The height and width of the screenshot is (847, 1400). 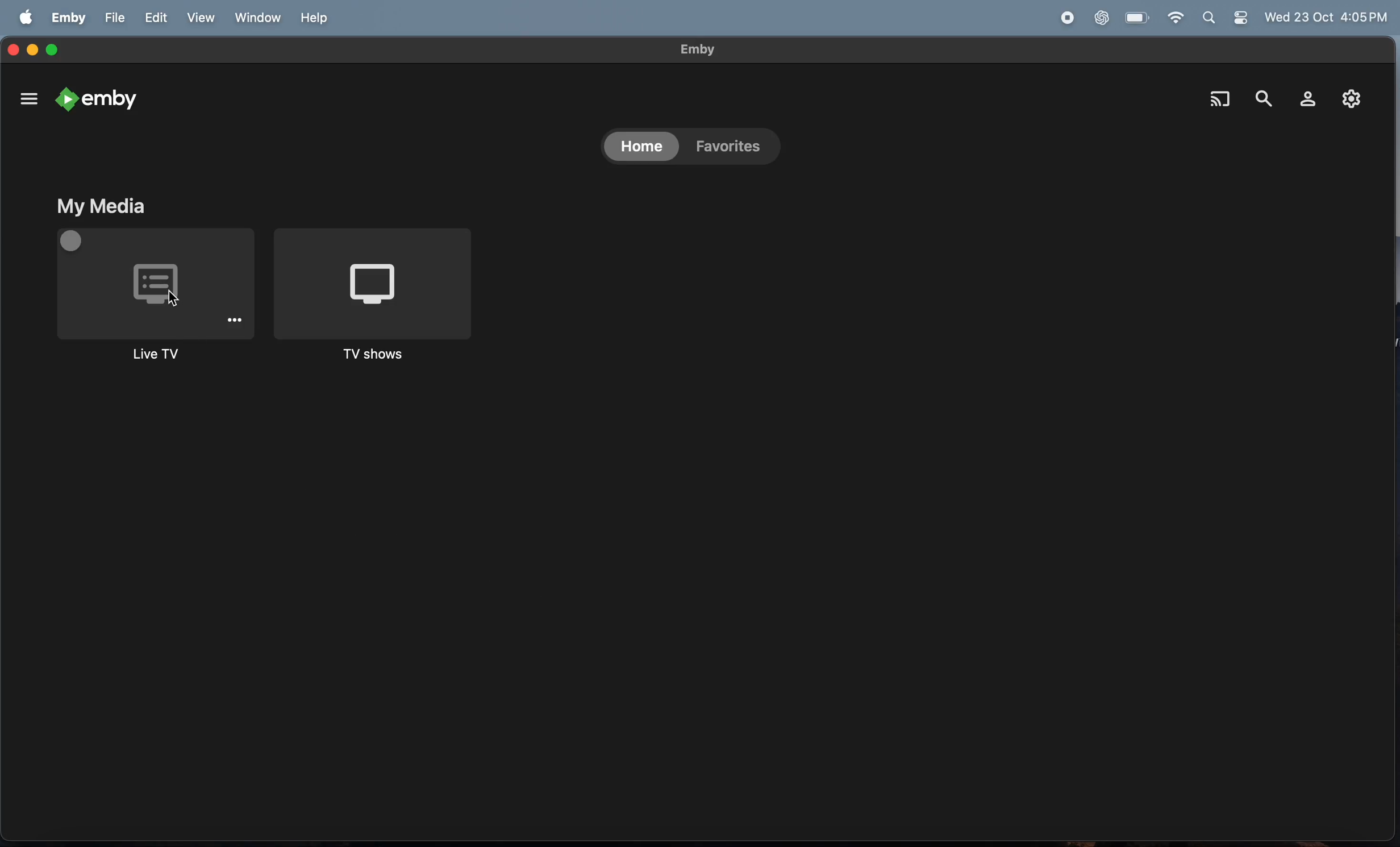 What do you see at coordinates (27, 96) in the screenshot?
I see `option` at bounding box center [27, 96].